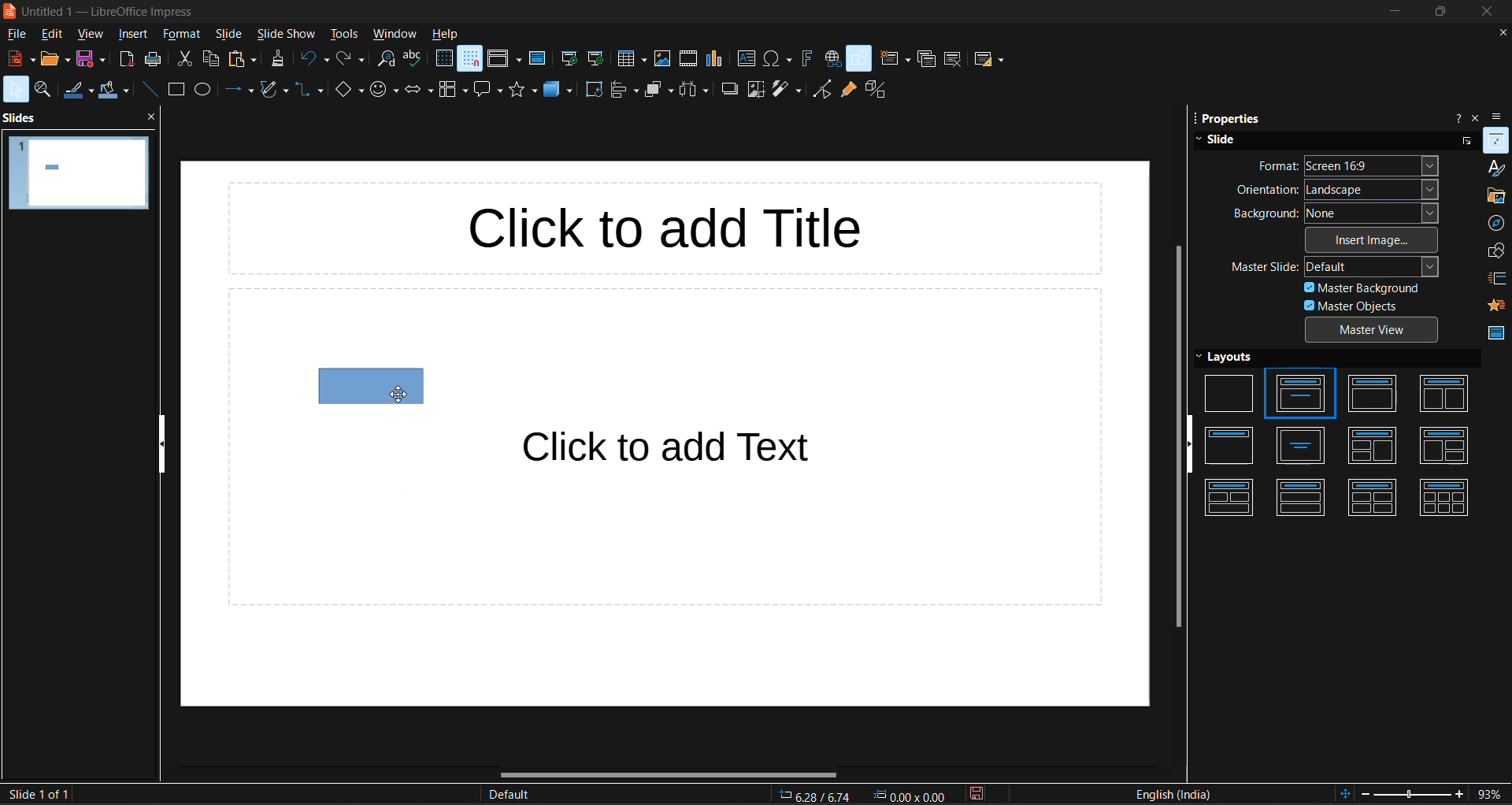  Describe the element at coordinates (1443, 447) in the screenshot. I see `title, content and 2 content` at that location.